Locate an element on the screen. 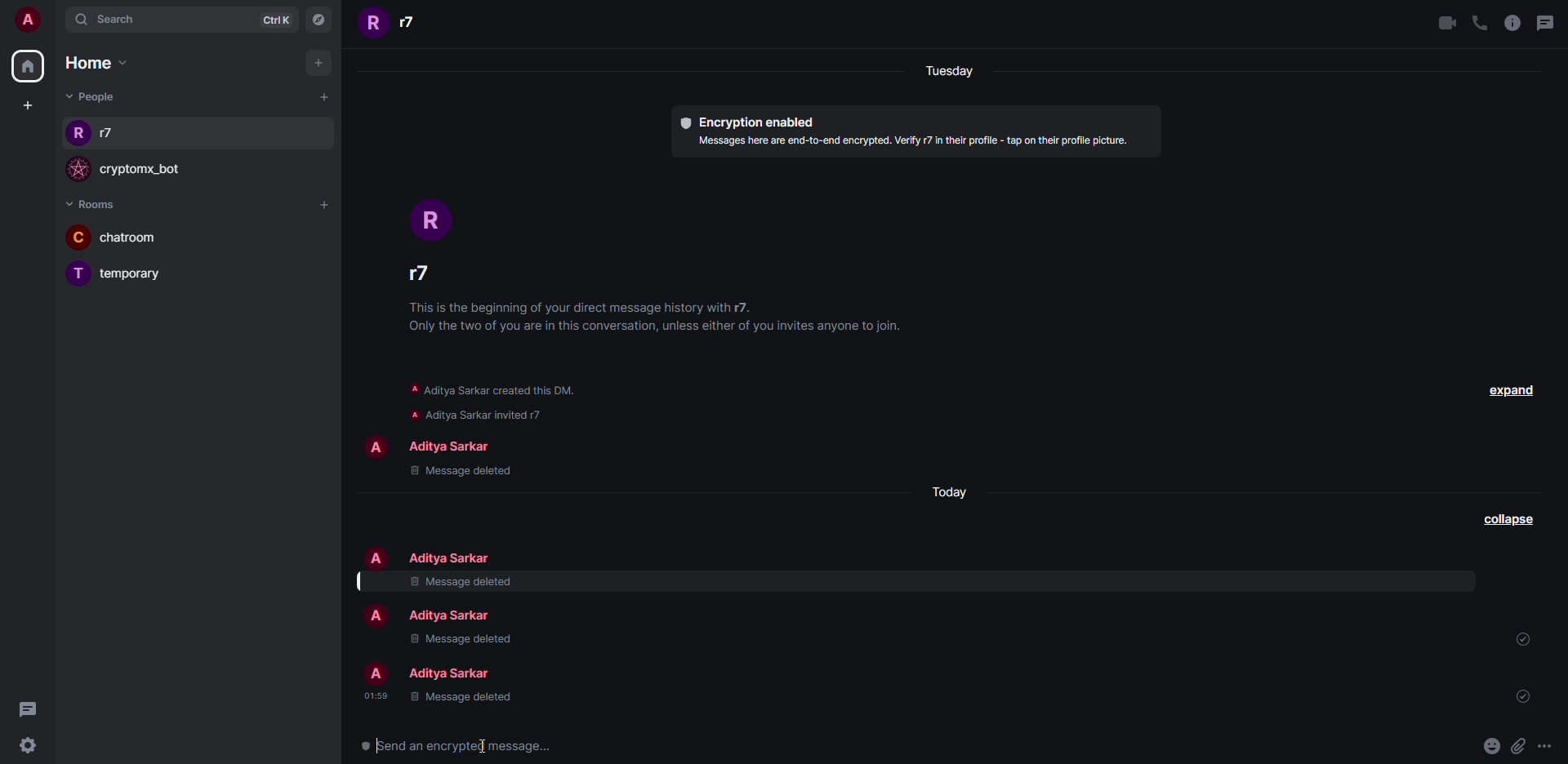 The image size is (1568, 764). more is located at coordinates (1546, 746).